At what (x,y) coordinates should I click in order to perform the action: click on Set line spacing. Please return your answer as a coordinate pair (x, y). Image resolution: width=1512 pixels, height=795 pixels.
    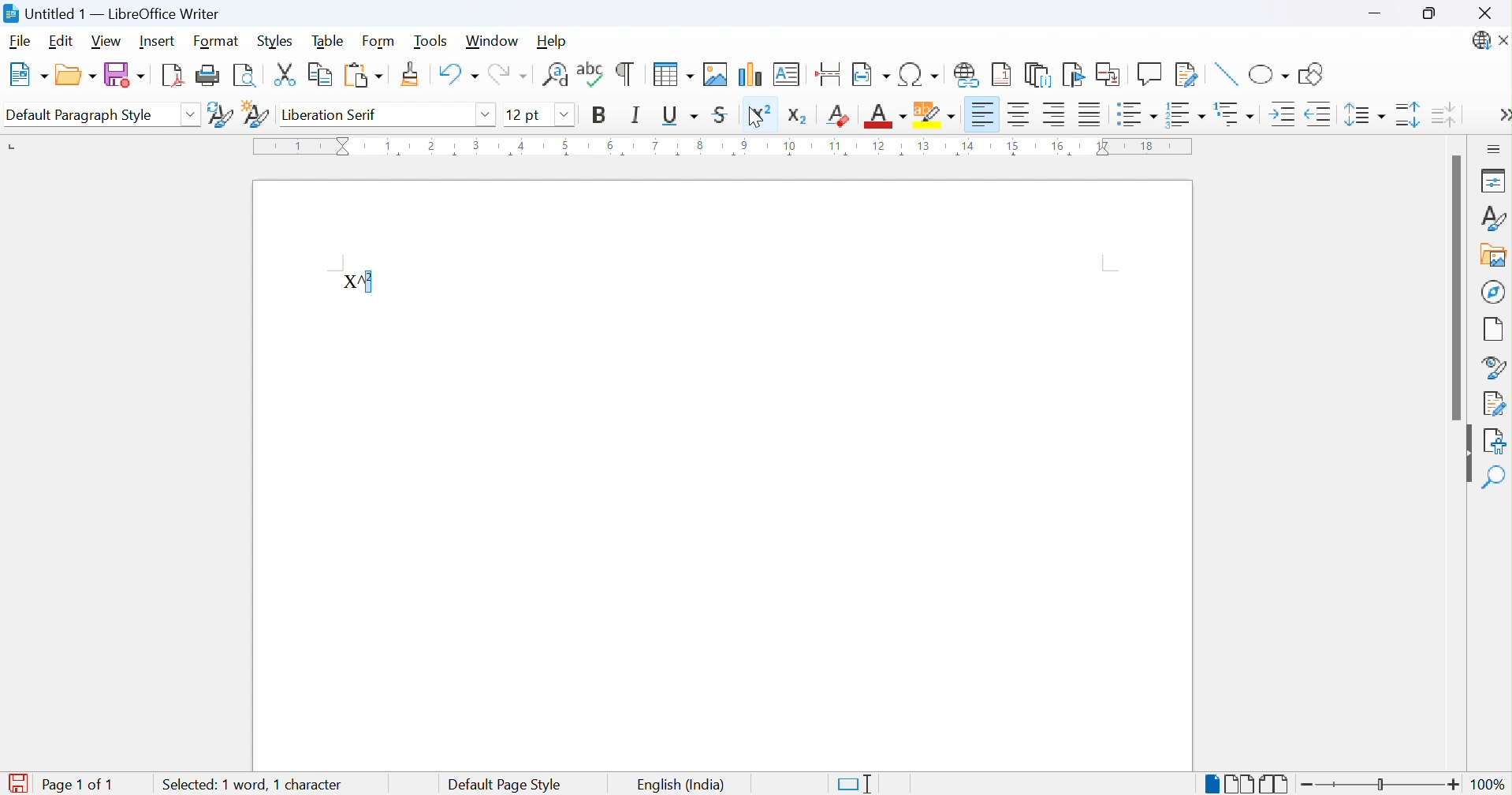
    Looking at the image, I should click on (1365, 114).